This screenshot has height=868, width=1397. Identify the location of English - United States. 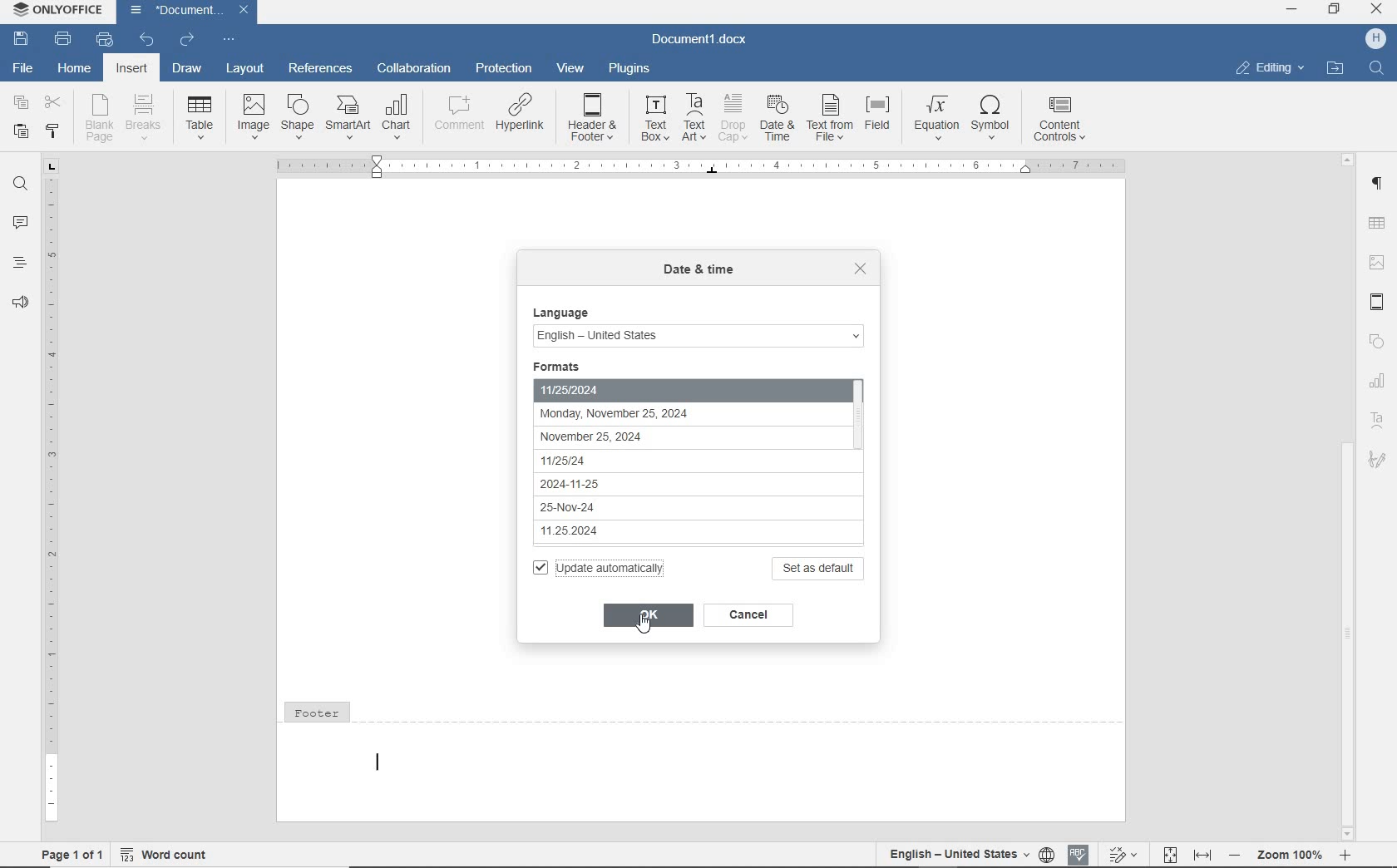
(953, 851).